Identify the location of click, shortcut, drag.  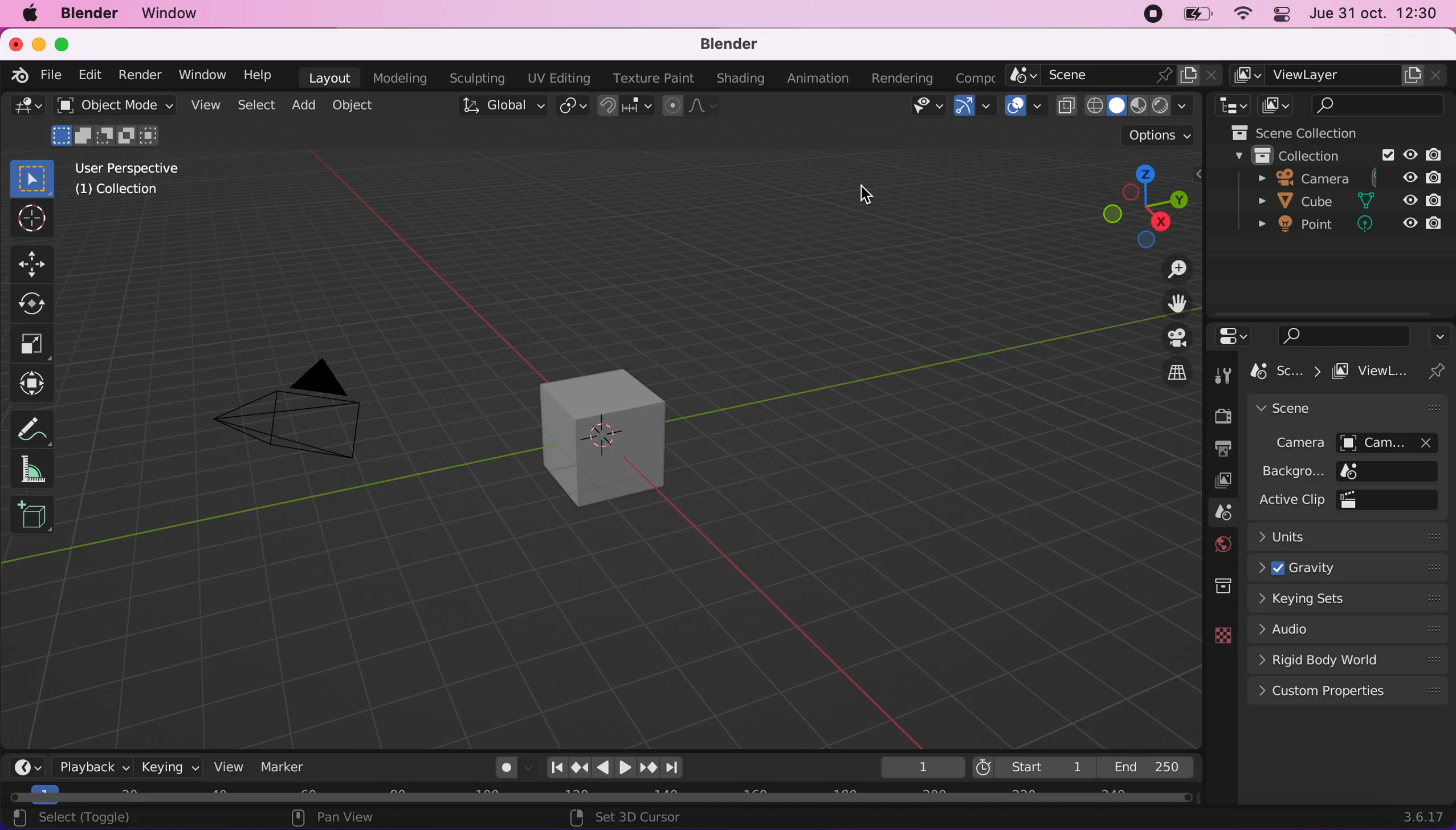
(1145, 205).